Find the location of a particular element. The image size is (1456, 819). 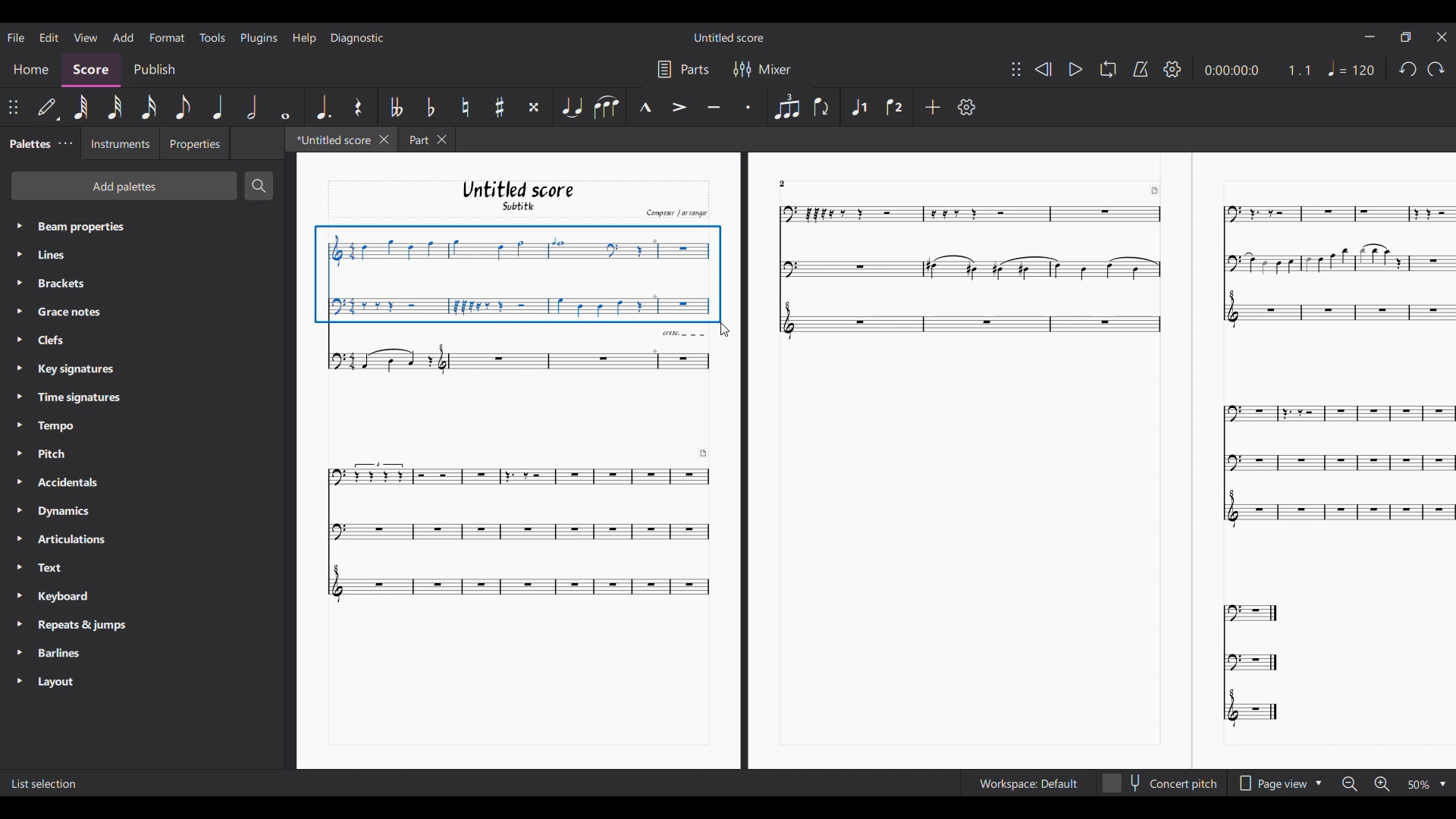

 is located at coordinates (18, 457).